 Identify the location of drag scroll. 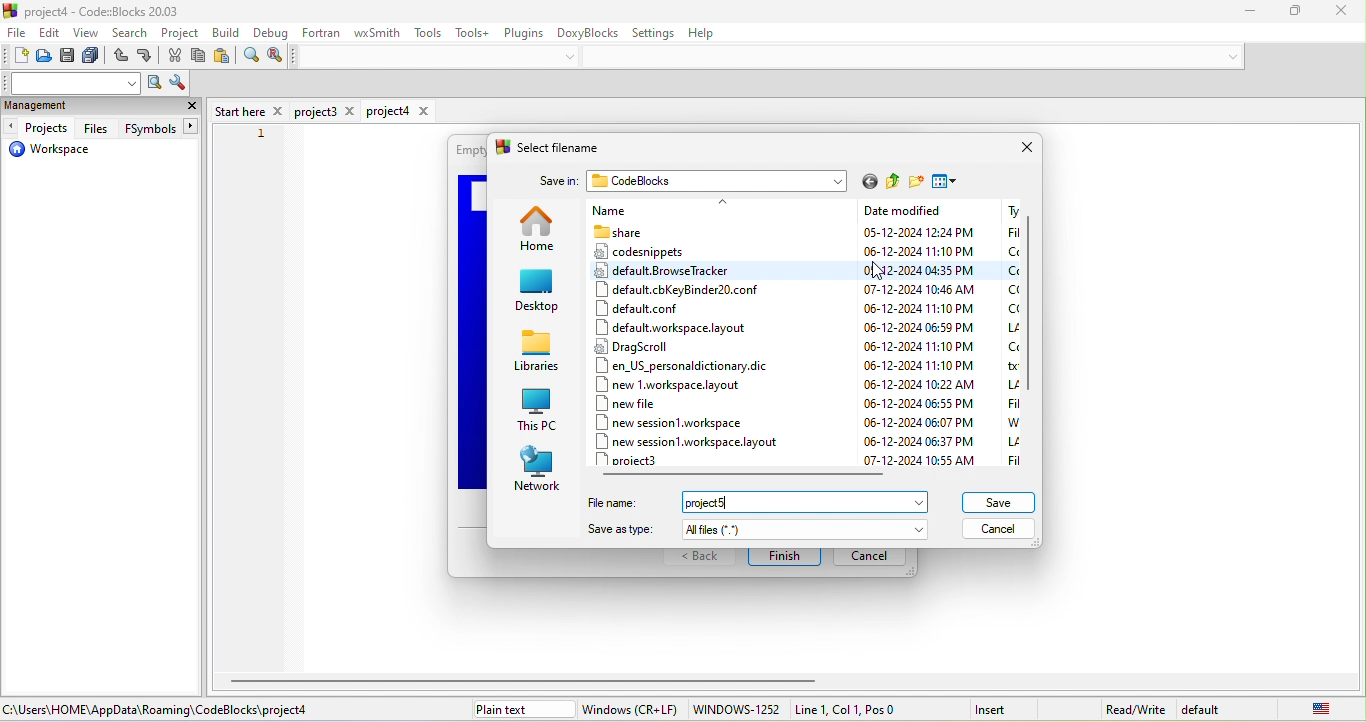
(689, 346).